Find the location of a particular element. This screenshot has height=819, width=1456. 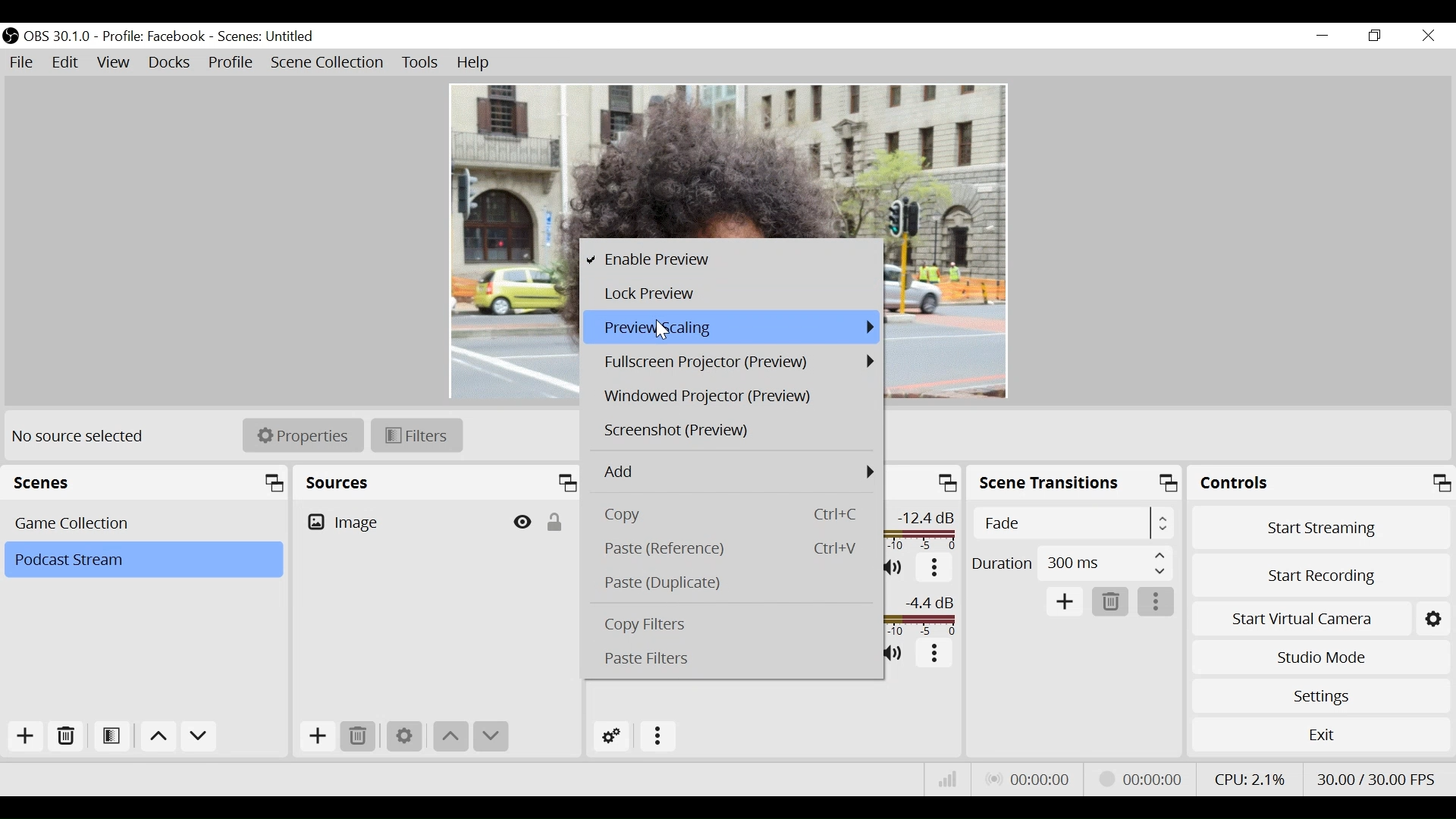

Scenes is located at coordinates (145, 523).